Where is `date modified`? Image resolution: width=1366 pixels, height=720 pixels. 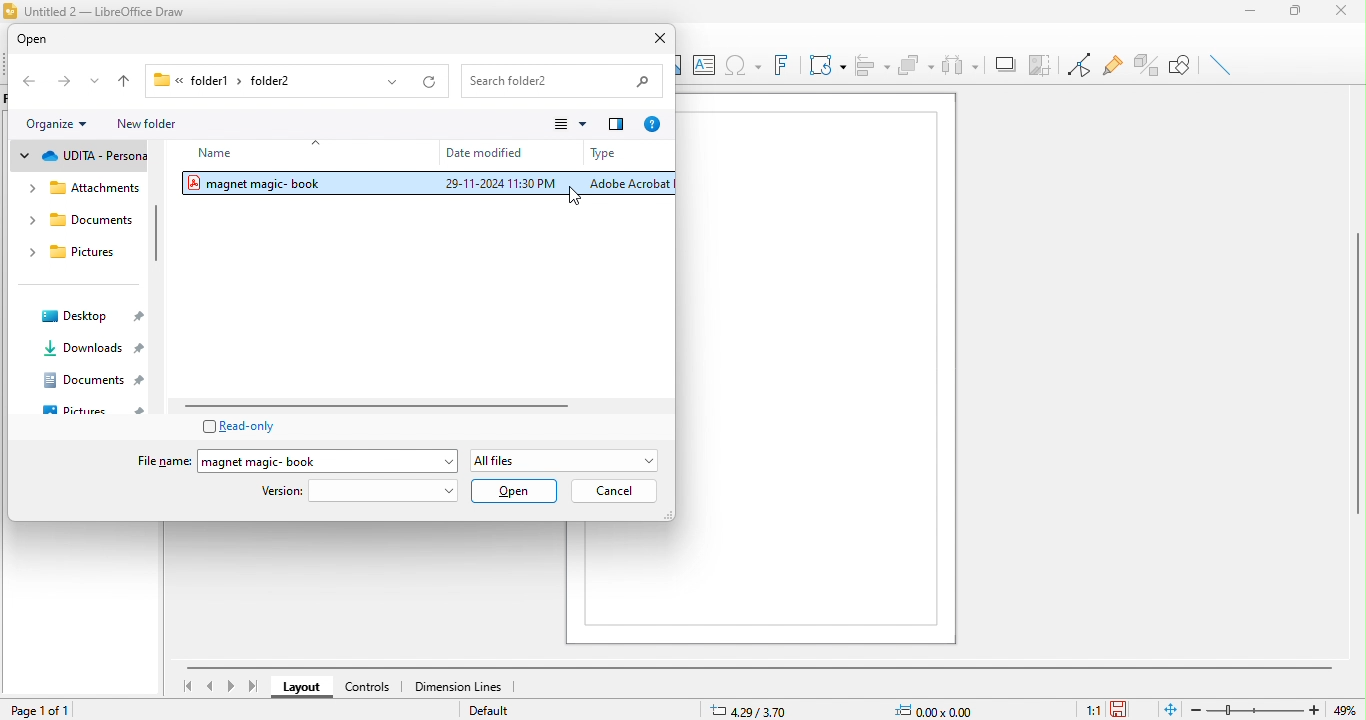
date modified is located at coordinates (479, 151).